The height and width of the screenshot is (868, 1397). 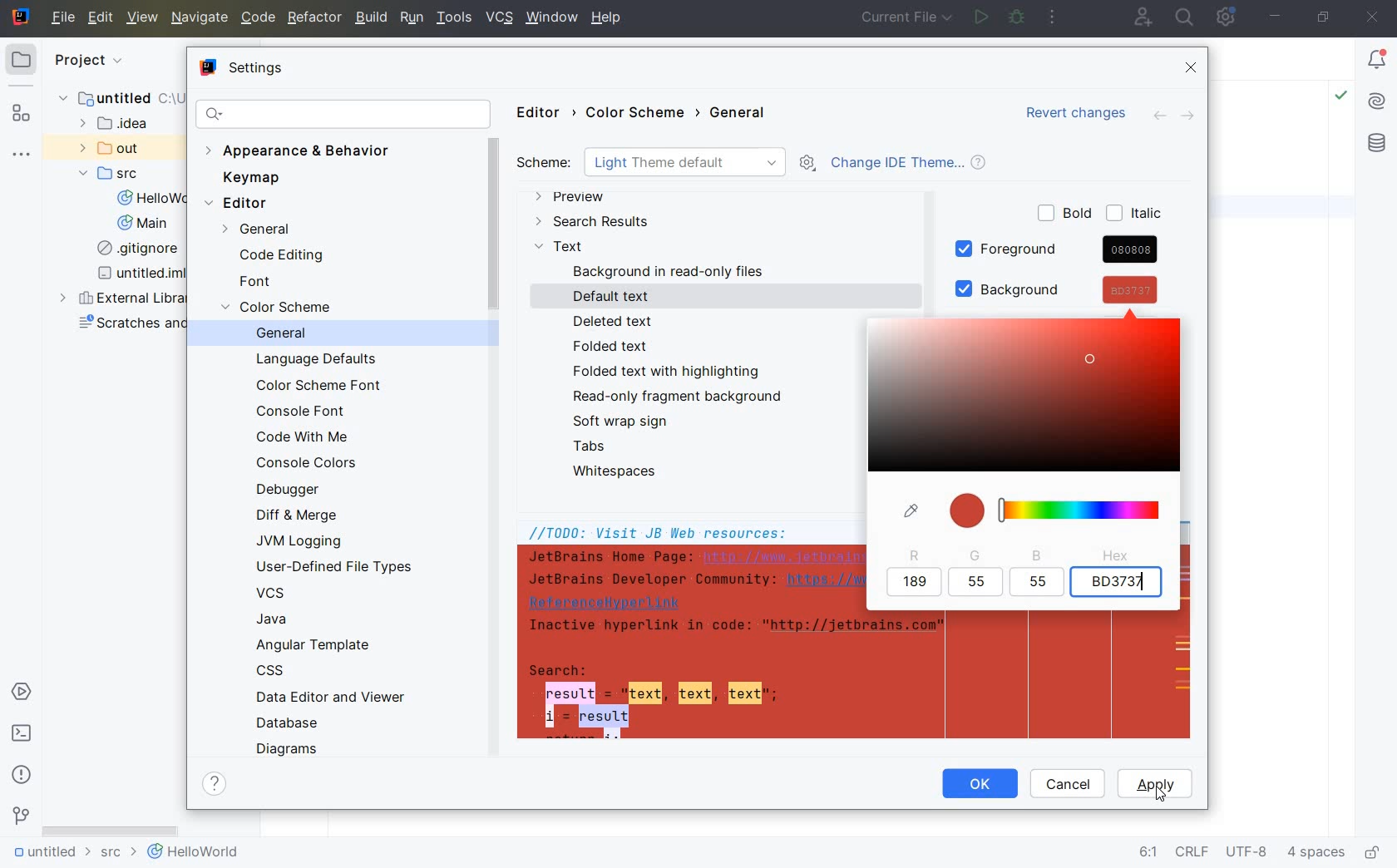 I want to click on FOREGROUND, so click(x=1057, y=250).